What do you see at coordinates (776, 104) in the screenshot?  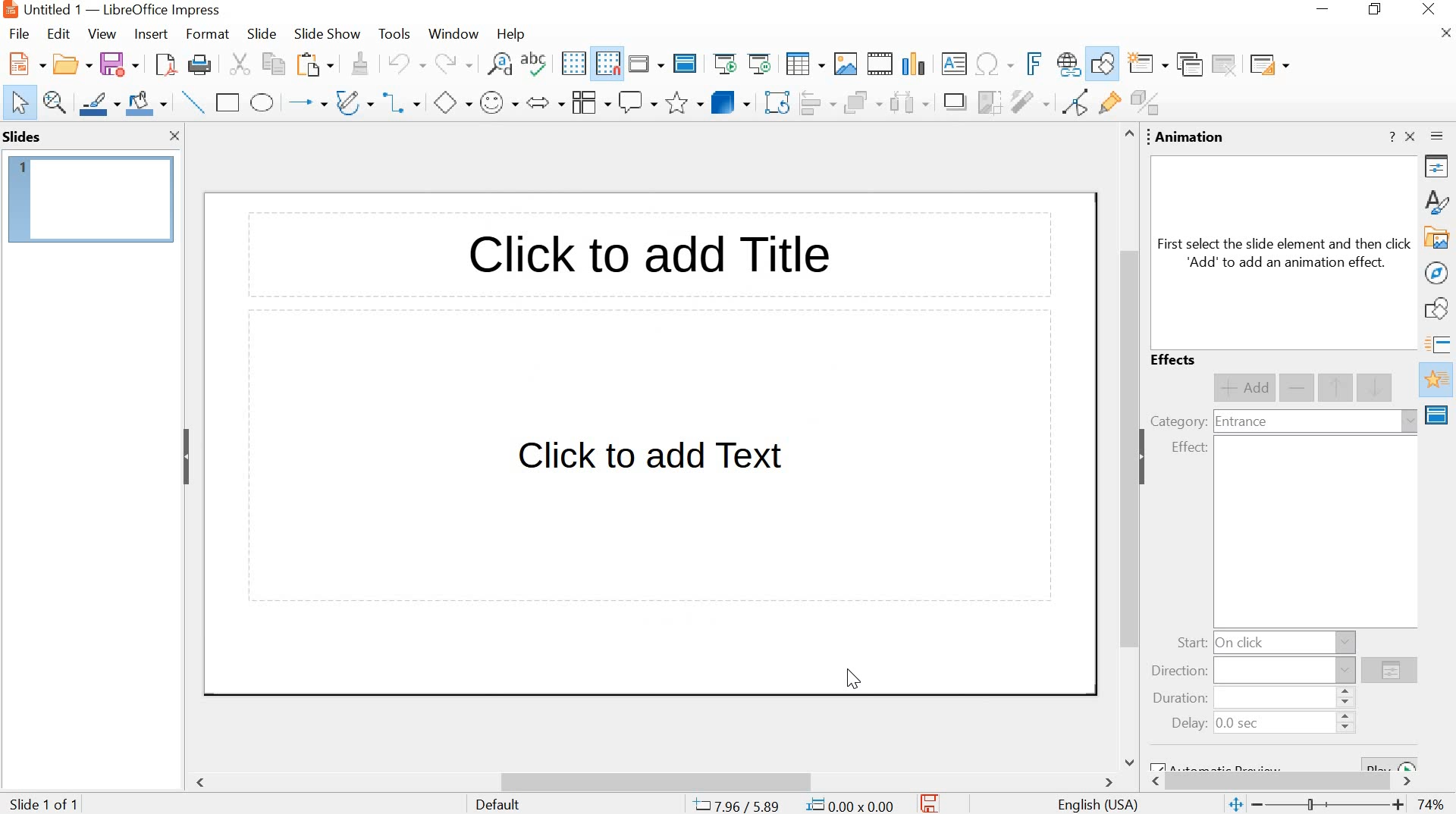 I see `rotate` at bounding box center [776, 104].